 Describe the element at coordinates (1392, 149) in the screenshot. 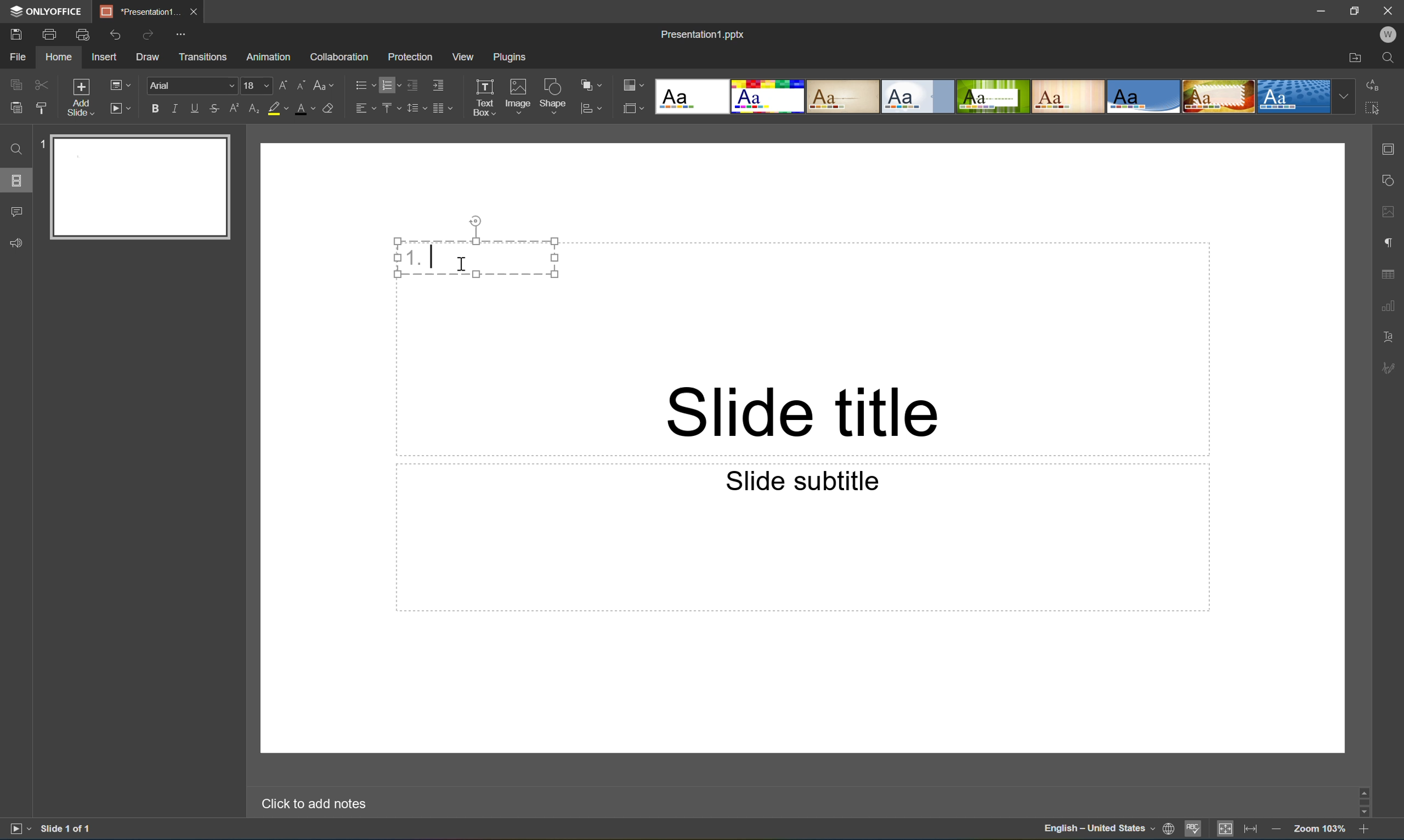

I see `Slide settings` at that location.